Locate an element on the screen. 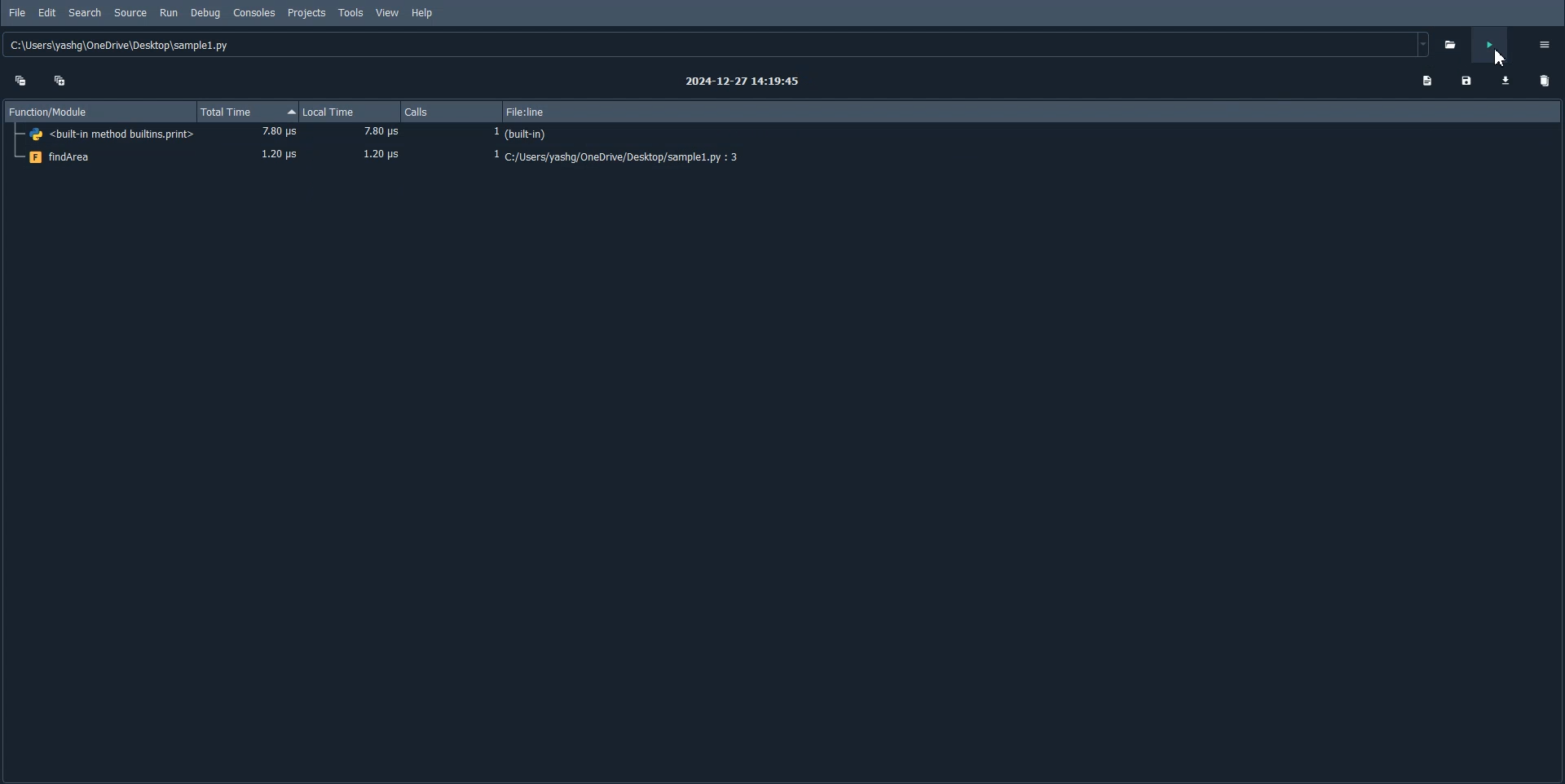  Search is located at coordinates (85, 12).